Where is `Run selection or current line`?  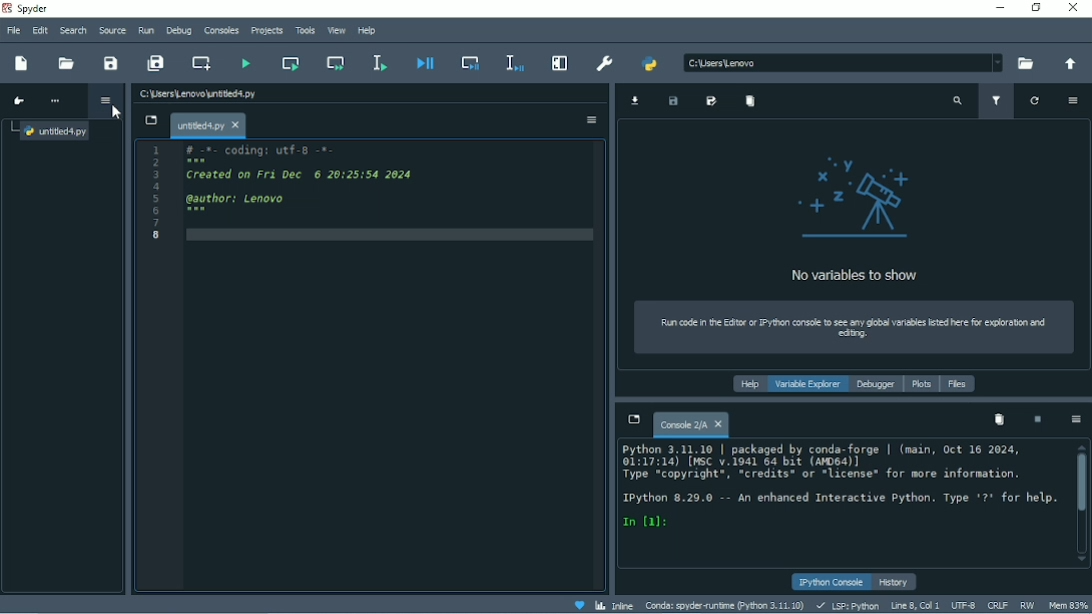 Run selection or current line is located at coordinates (380, 62).